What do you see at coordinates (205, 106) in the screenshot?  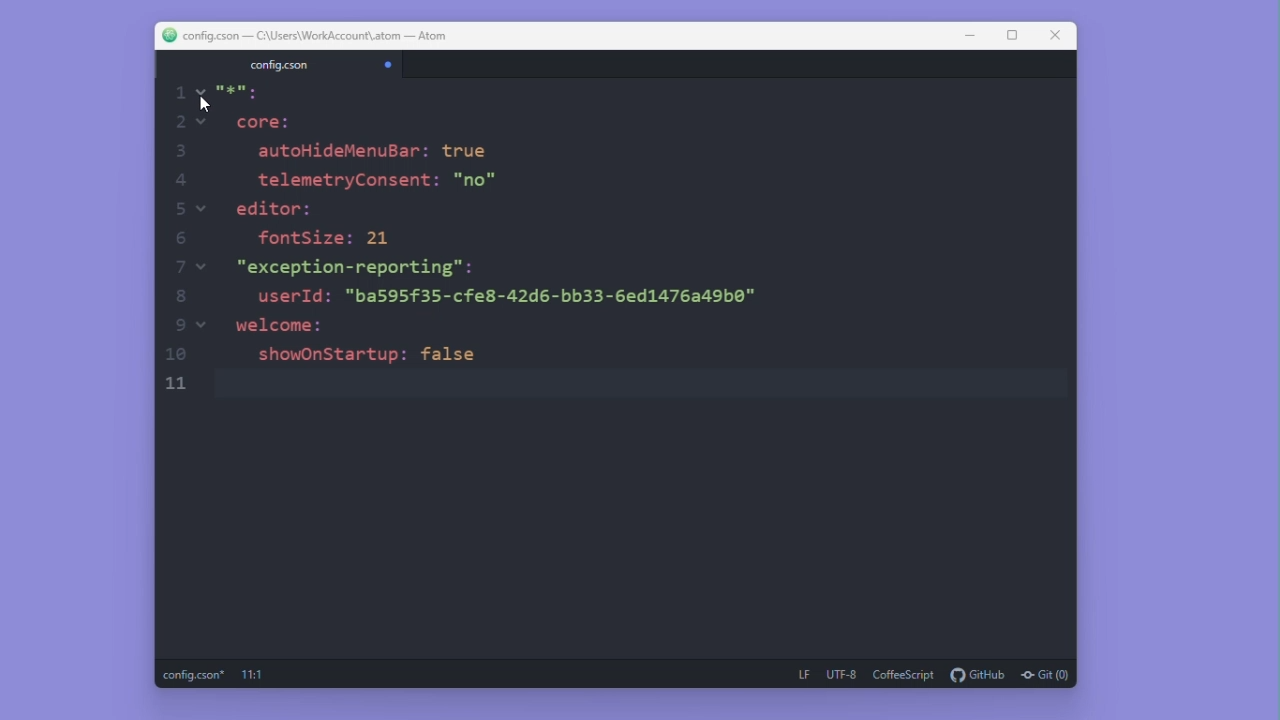 I see `cursor` at bounding box center [205, 106].